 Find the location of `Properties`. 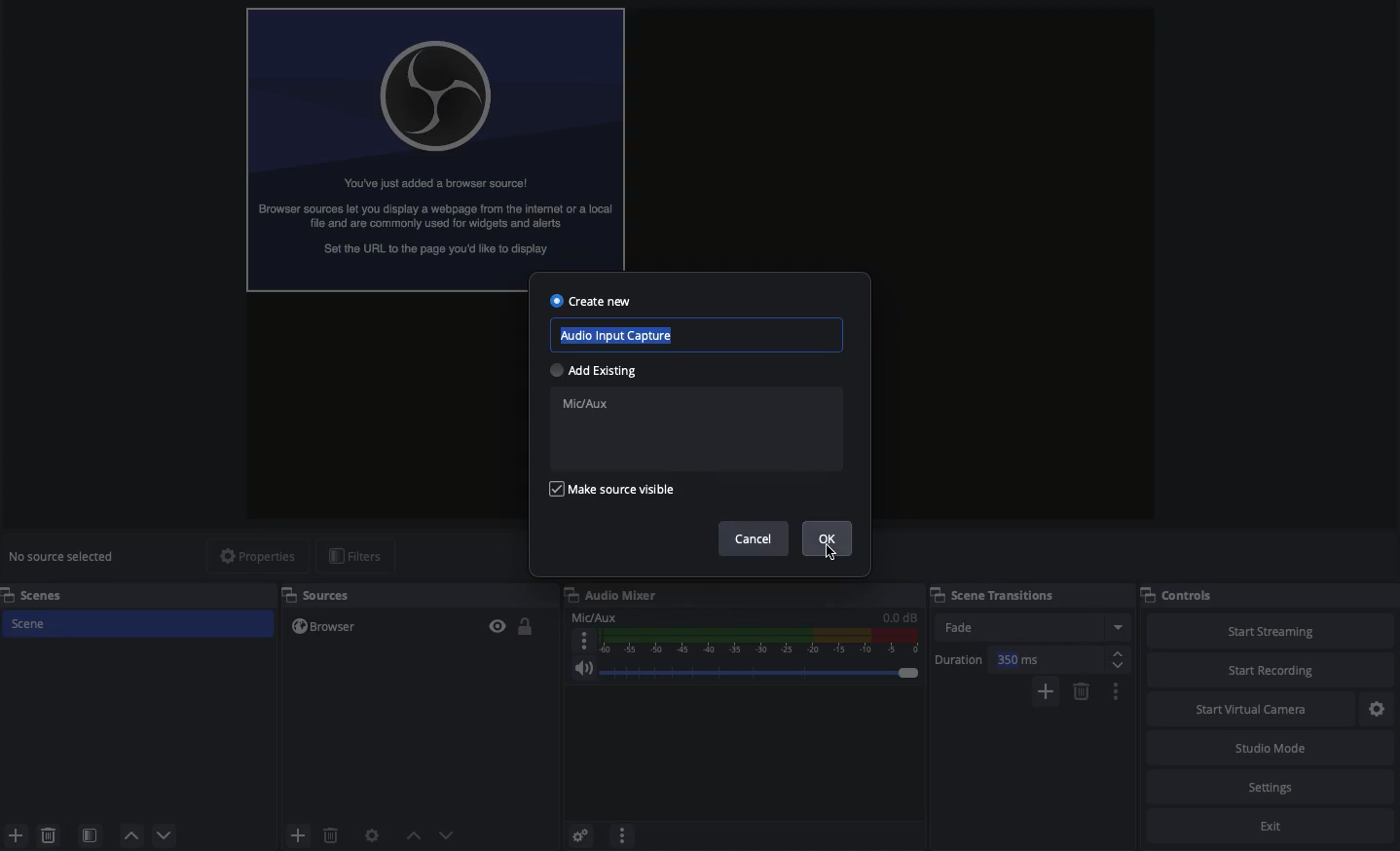

Properties is located at coordinates (257, 557).